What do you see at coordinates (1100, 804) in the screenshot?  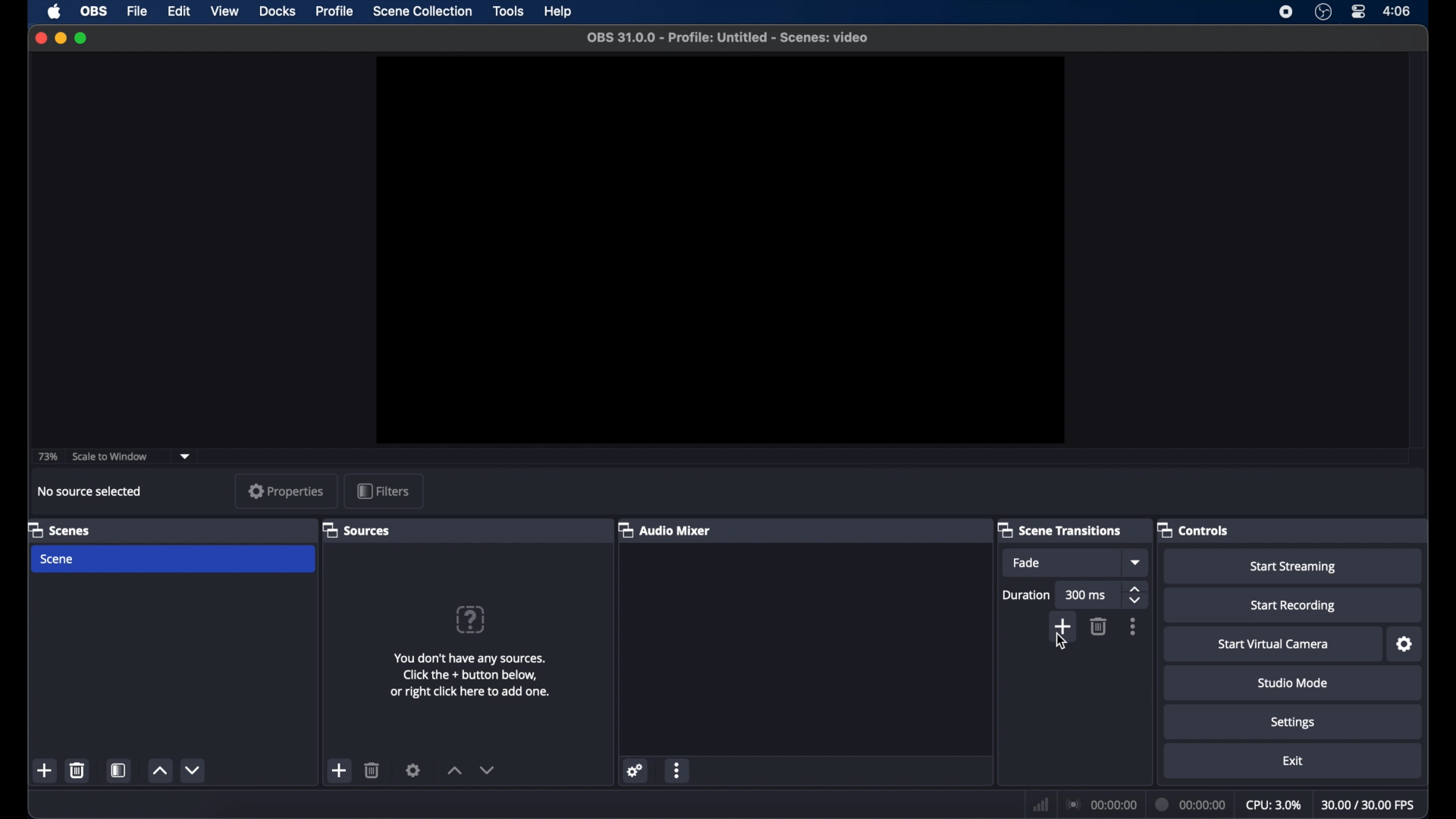 I see `connection` at bounding box center [1100, 804].